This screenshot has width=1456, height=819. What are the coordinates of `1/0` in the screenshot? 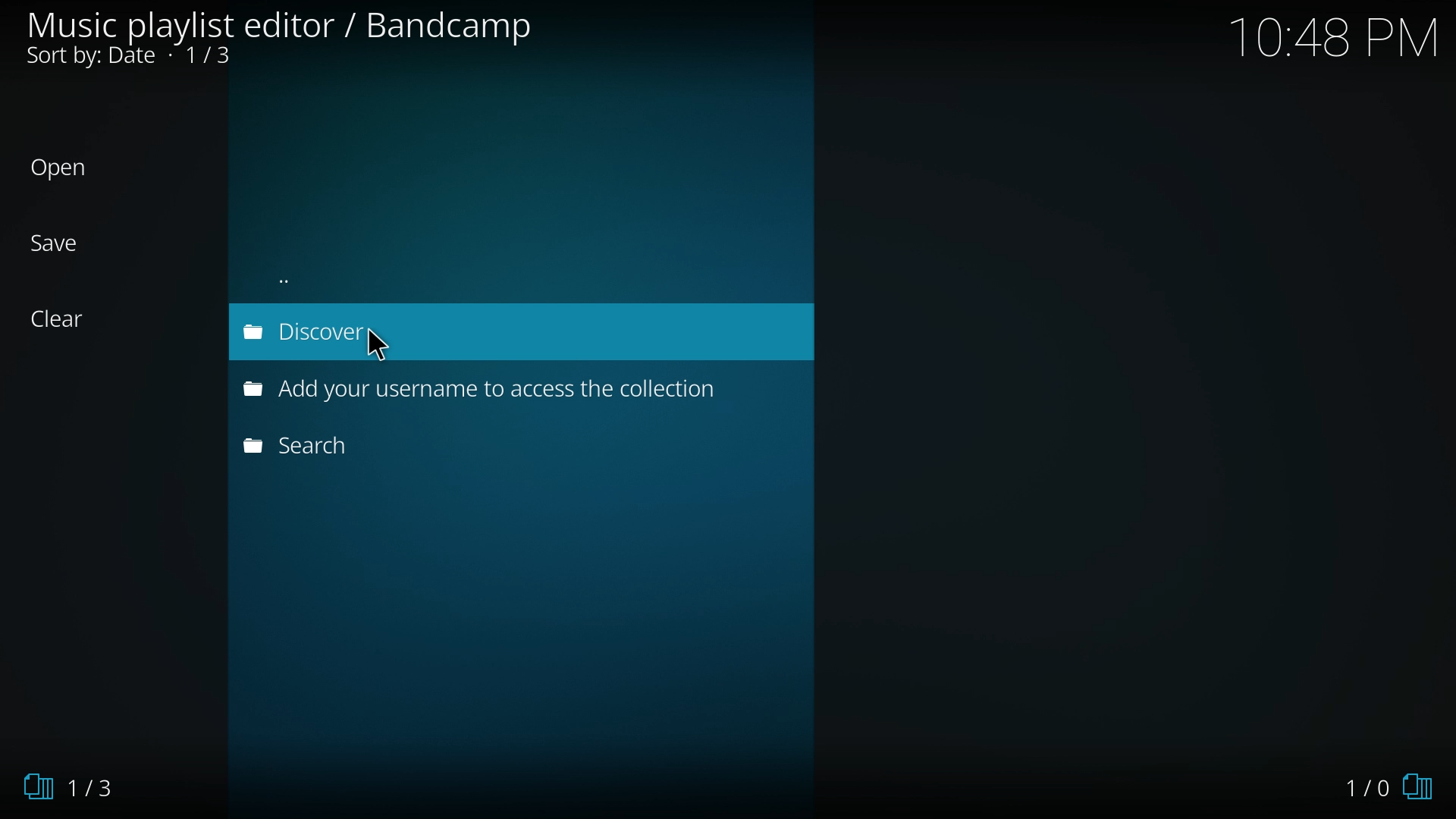 It's located at (1385, 785).